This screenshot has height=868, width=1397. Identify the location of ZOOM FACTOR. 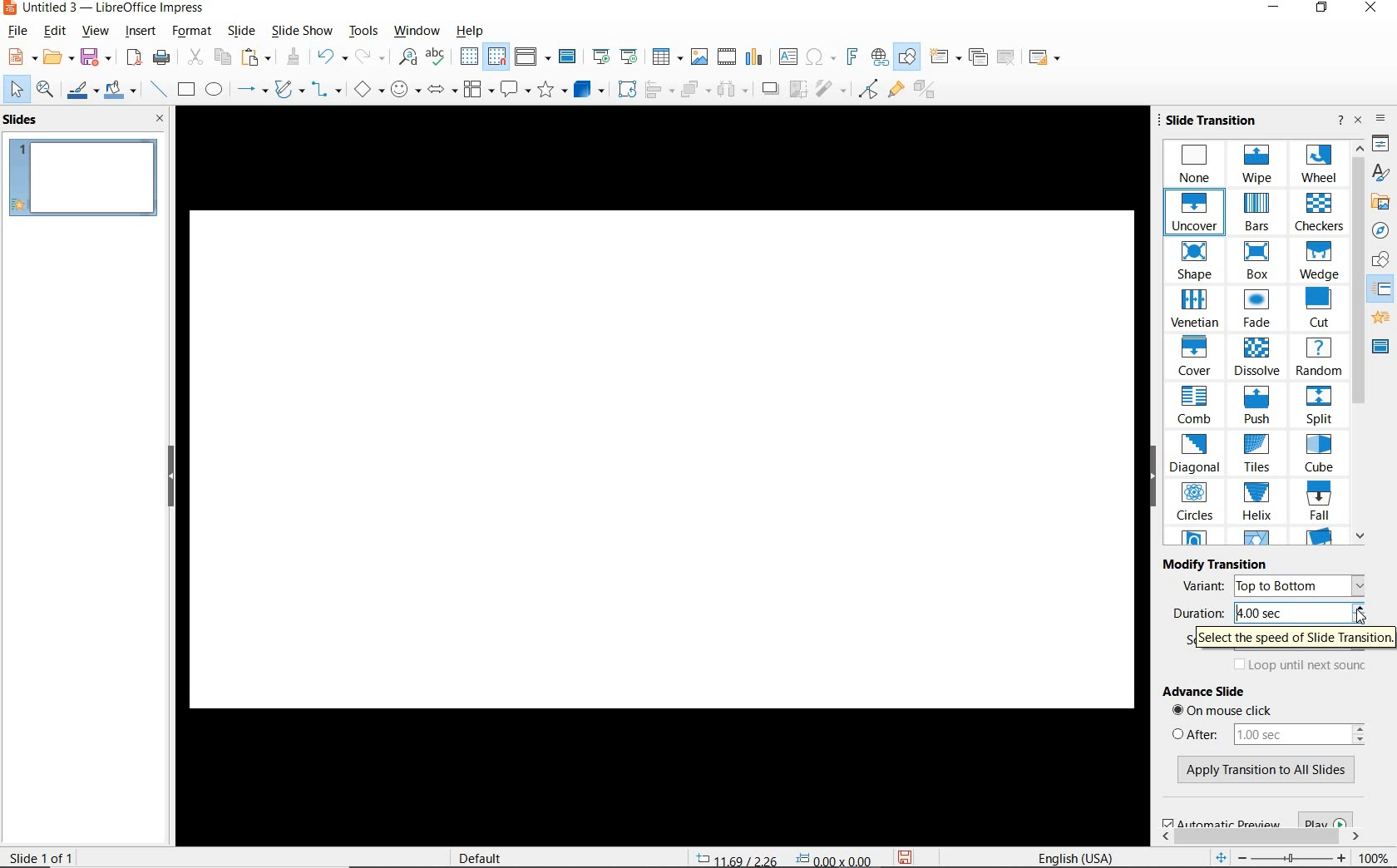
(1375, 856).